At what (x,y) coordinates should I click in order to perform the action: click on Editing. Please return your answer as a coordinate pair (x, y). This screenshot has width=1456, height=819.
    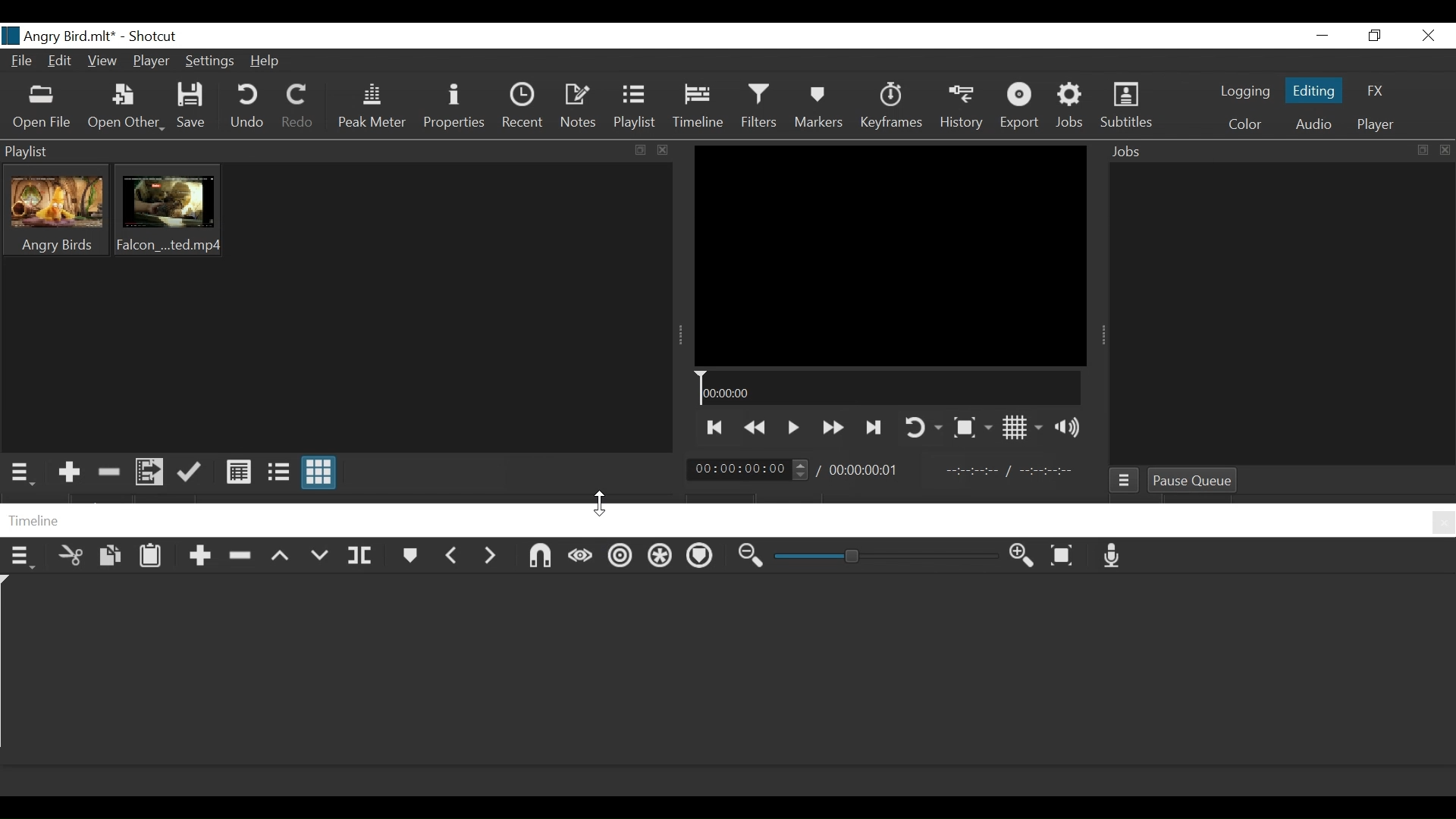
    Looking at the image, I should click on (1313, 89).